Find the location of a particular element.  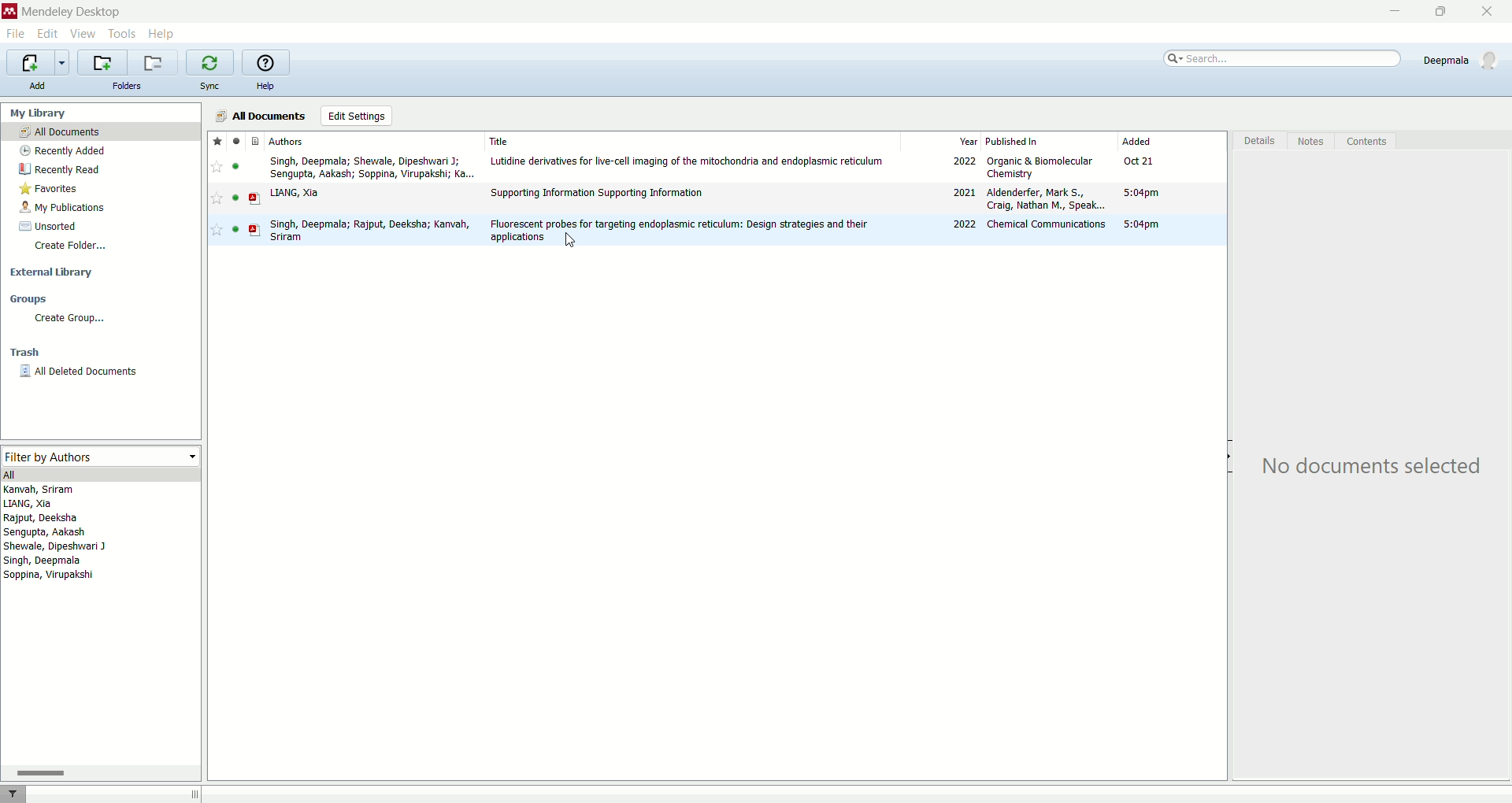

favorites is located at coordinates (52, 190).